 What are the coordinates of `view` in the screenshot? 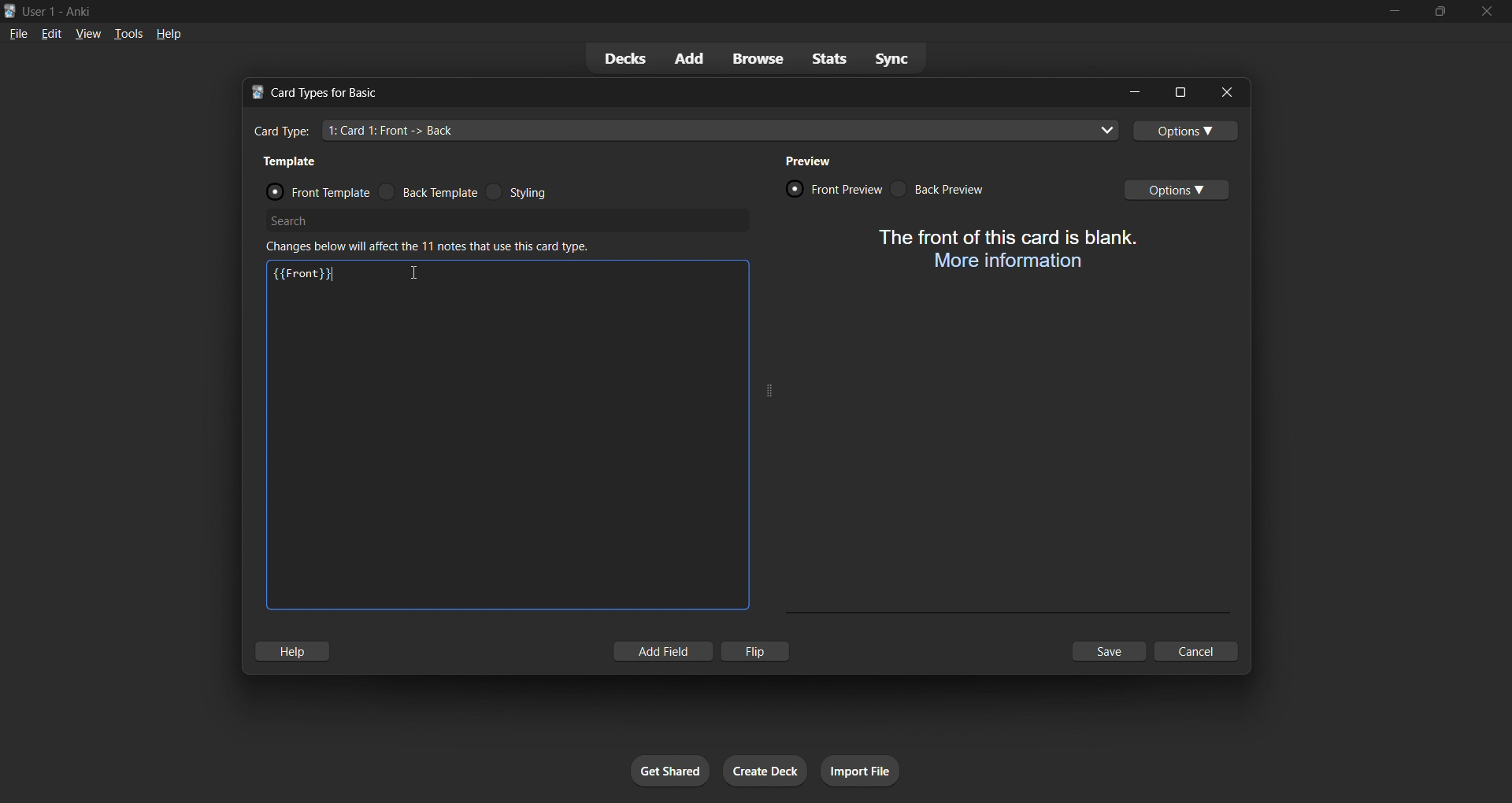 It's located at (85, 33).